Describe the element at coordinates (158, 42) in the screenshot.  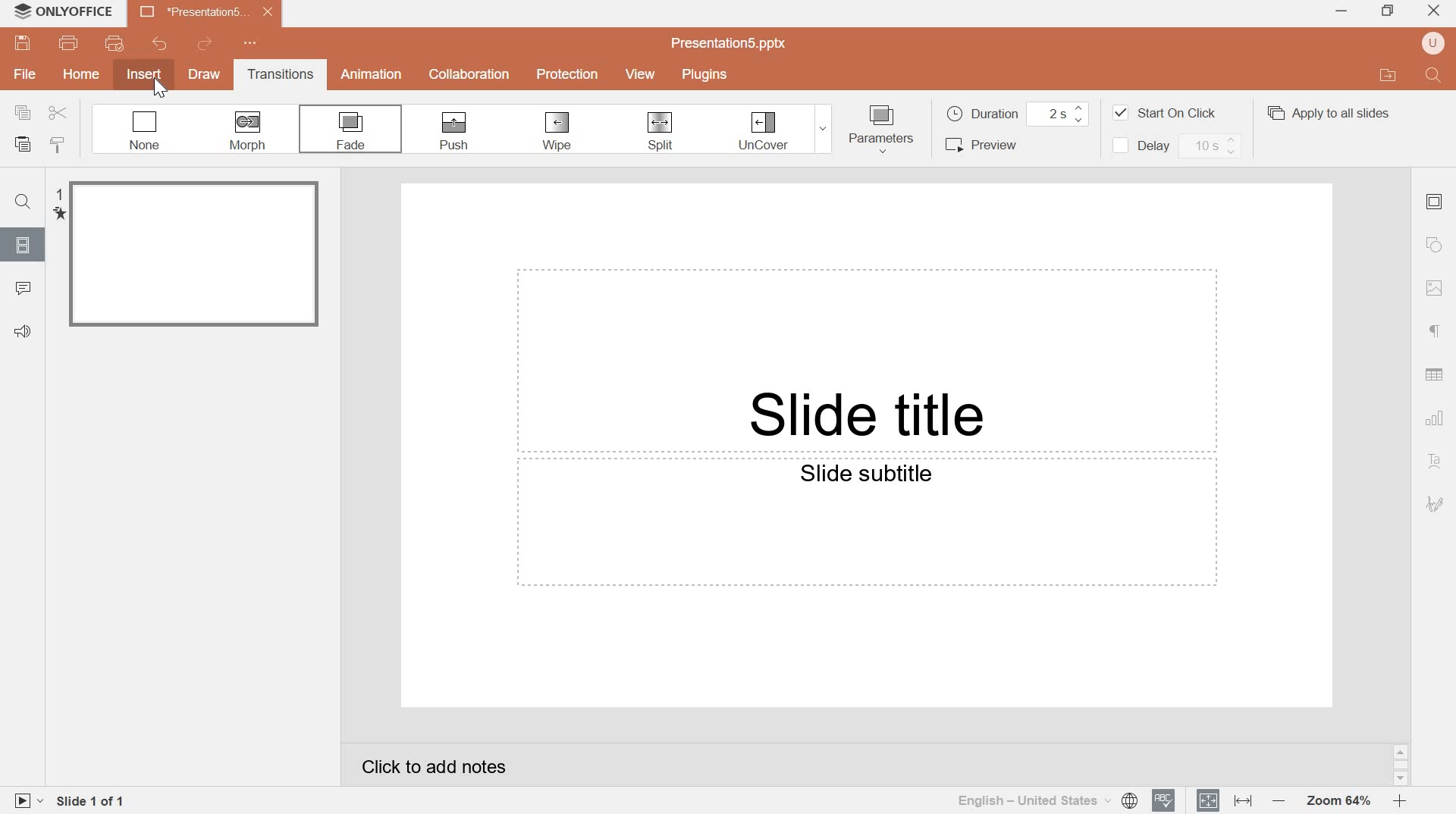
I see `undo` at that location.